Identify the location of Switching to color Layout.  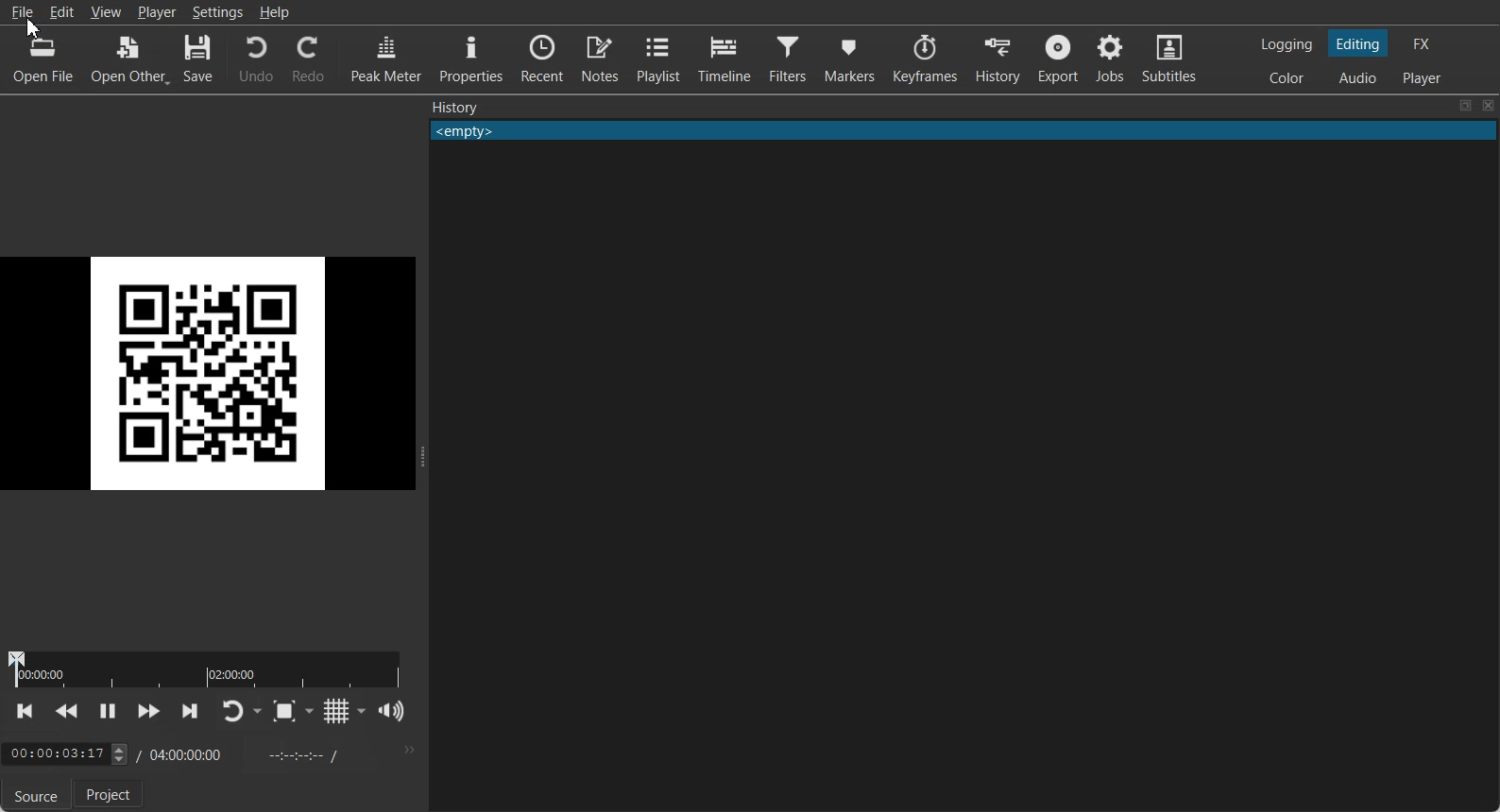
(1287, 78).